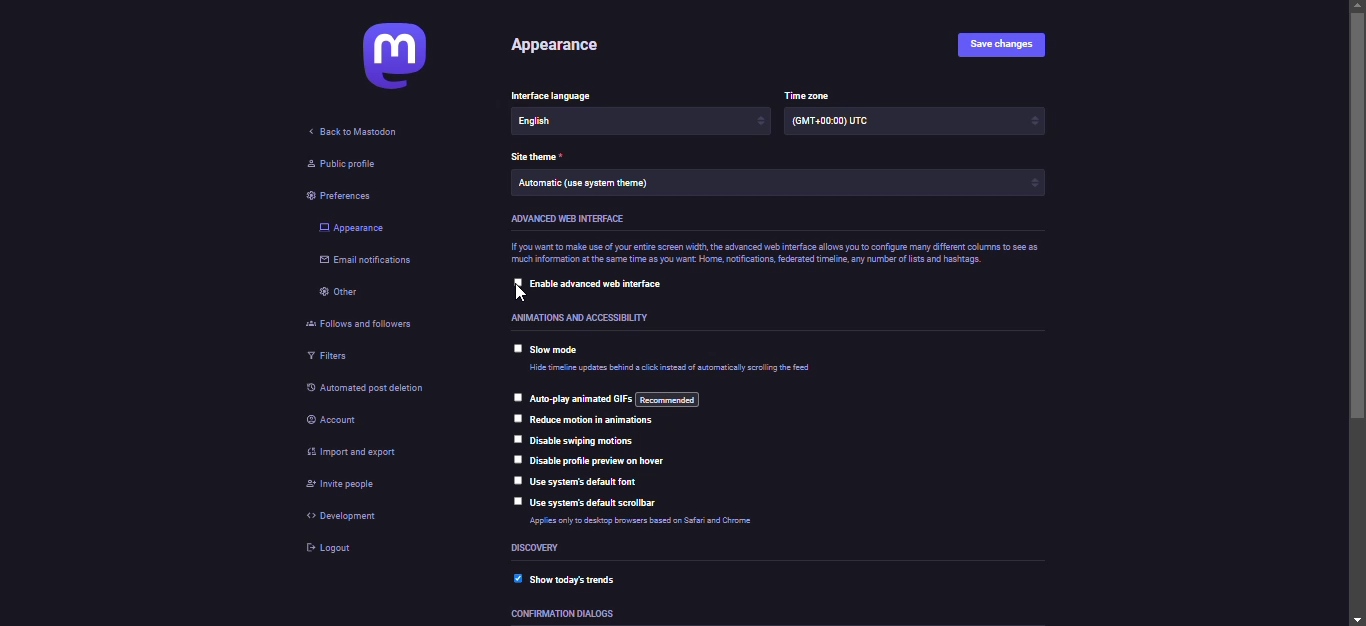 This screenshot has width=1366, height=626. What do you see at coordinates (515, 459) in the screenshot?
I see `click to select` at bounding box center [515, 459].